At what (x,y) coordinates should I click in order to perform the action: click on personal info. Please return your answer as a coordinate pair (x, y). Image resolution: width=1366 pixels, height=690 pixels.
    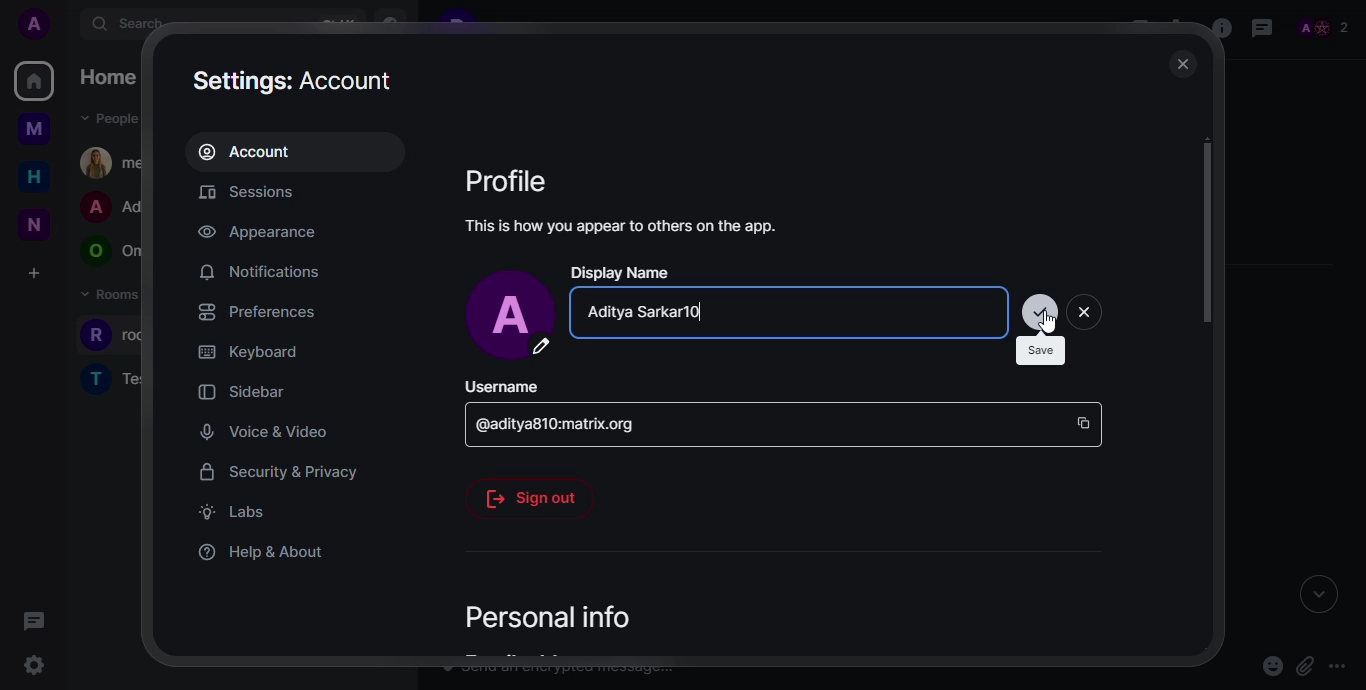
    Looking at the image, I should click on (540, 617).